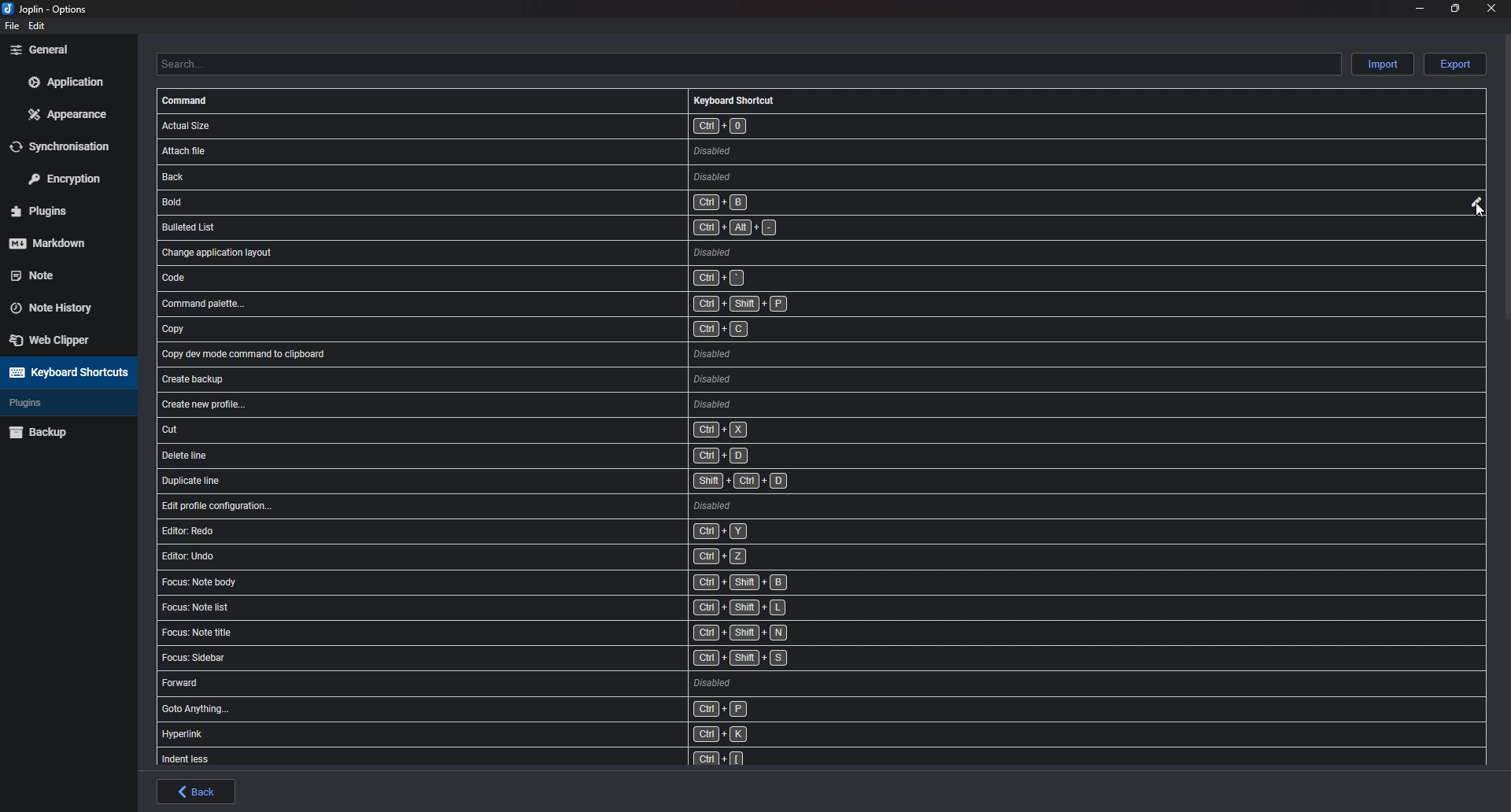 The height and width of the screenshot is (812, 1511). Describe the element at coordinates (507, 759) in the screenshot. I see `shortcut` at that location.